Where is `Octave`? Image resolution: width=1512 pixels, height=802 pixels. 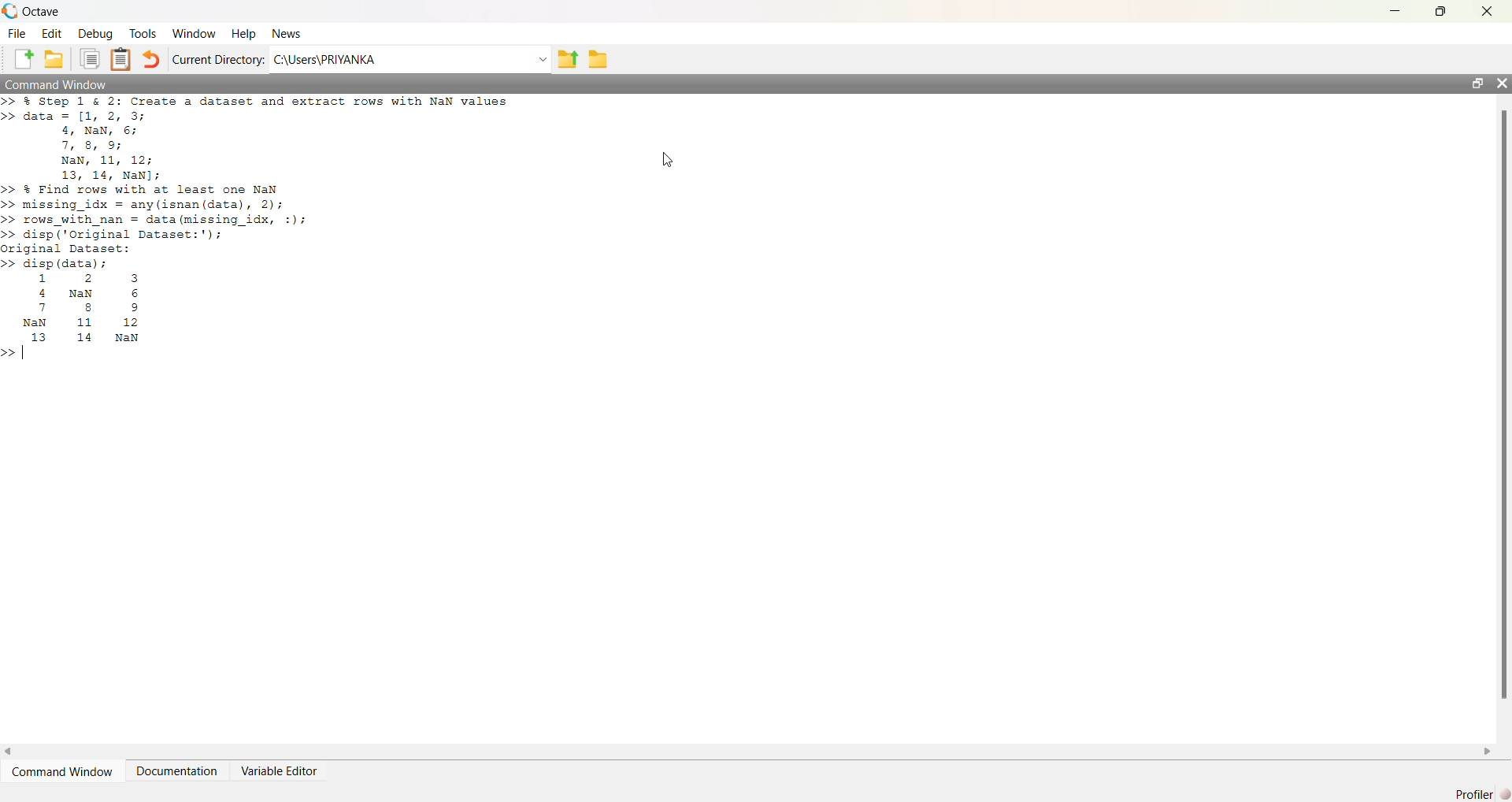 Octave is located at coordinates (41, 11).